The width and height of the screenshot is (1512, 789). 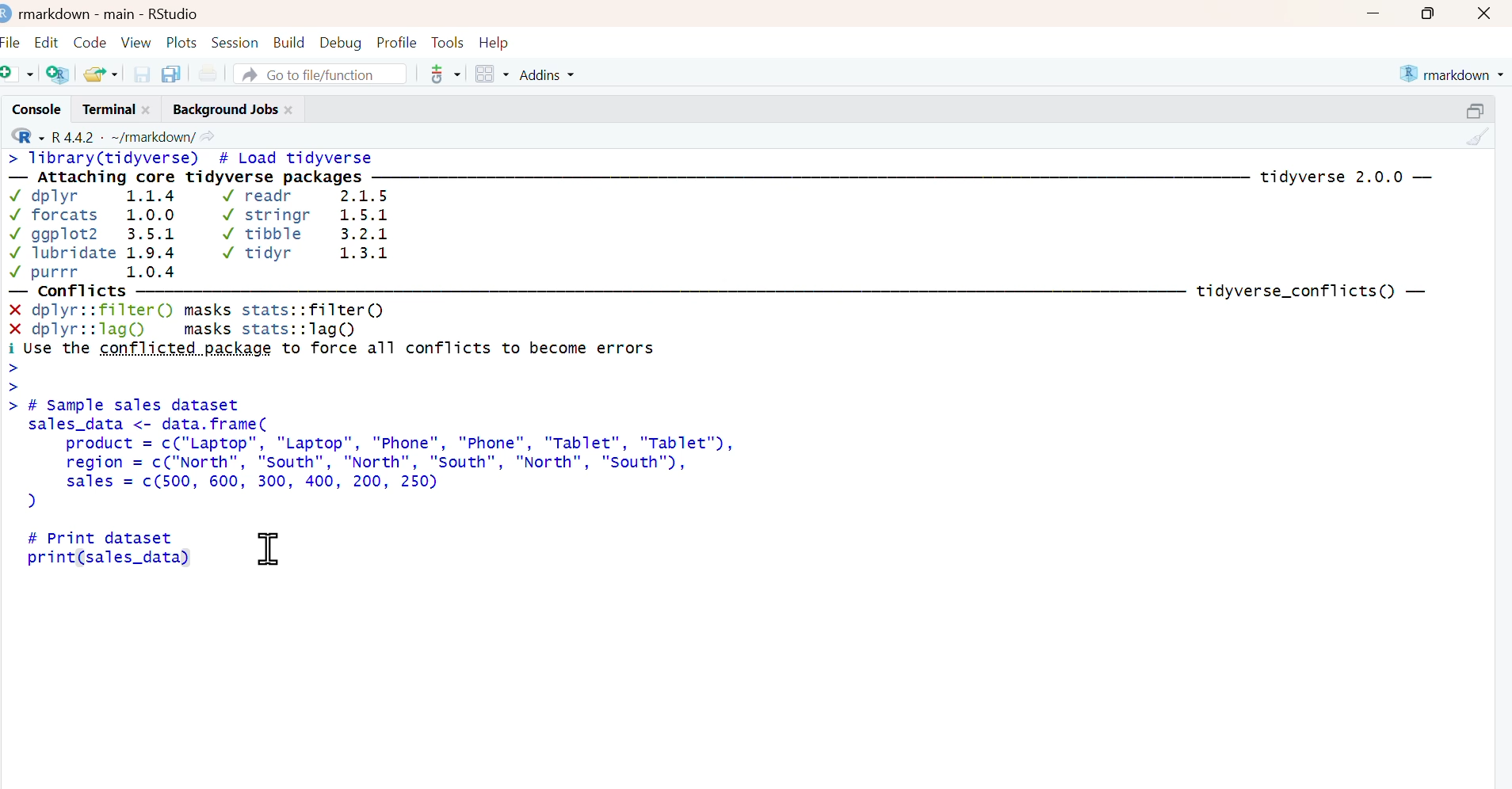 What do you see at coordinates (101, 72) in the screenshot?
I see `open recent files` at bounding box center [101, 72].